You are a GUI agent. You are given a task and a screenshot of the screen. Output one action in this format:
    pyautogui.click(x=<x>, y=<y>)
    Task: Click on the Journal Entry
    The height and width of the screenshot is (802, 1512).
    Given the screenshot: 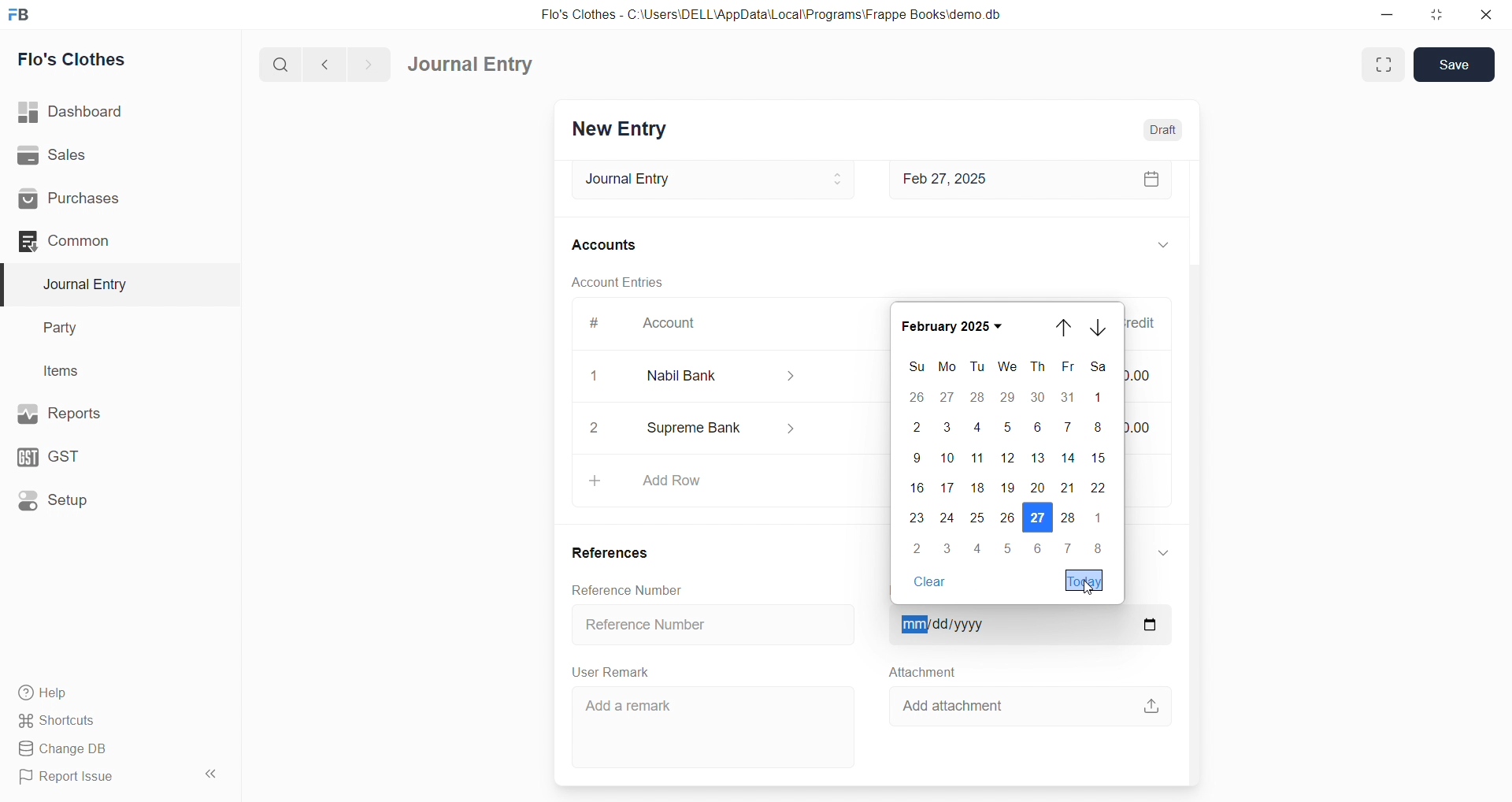 What is the action you would take?
    pyautogui.click(x=708, y=180)
    